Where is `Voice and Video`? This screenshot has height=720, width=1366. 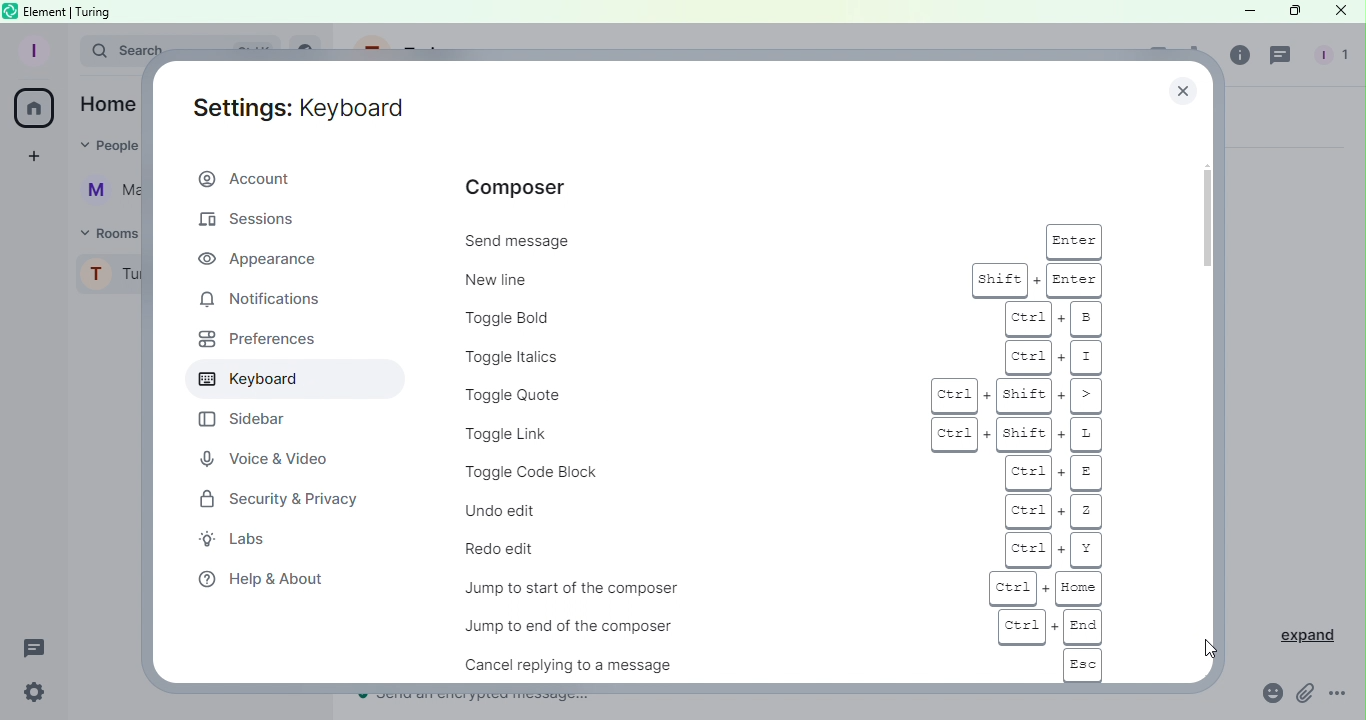
Voice and Video is located at coordinates (263, 458).